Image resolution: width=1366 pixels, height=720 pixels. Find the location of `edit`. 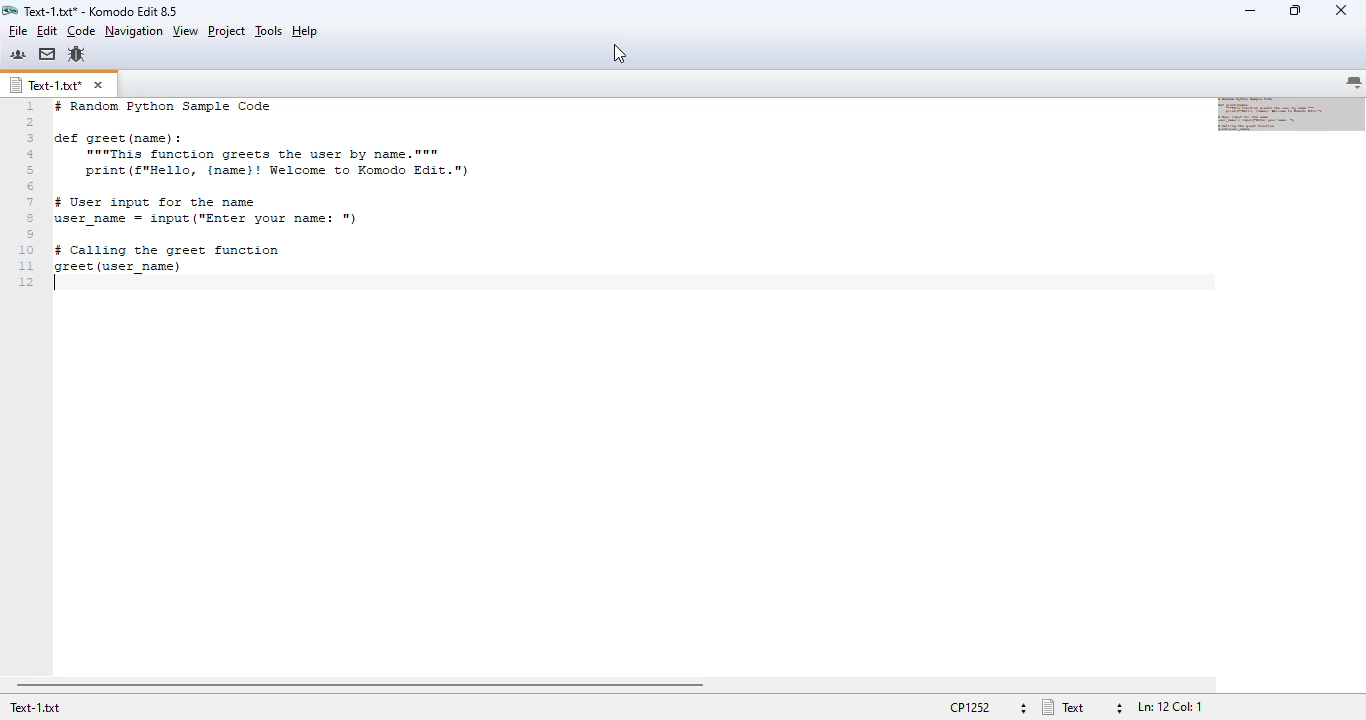

edit is located at coordinates (47, 31).